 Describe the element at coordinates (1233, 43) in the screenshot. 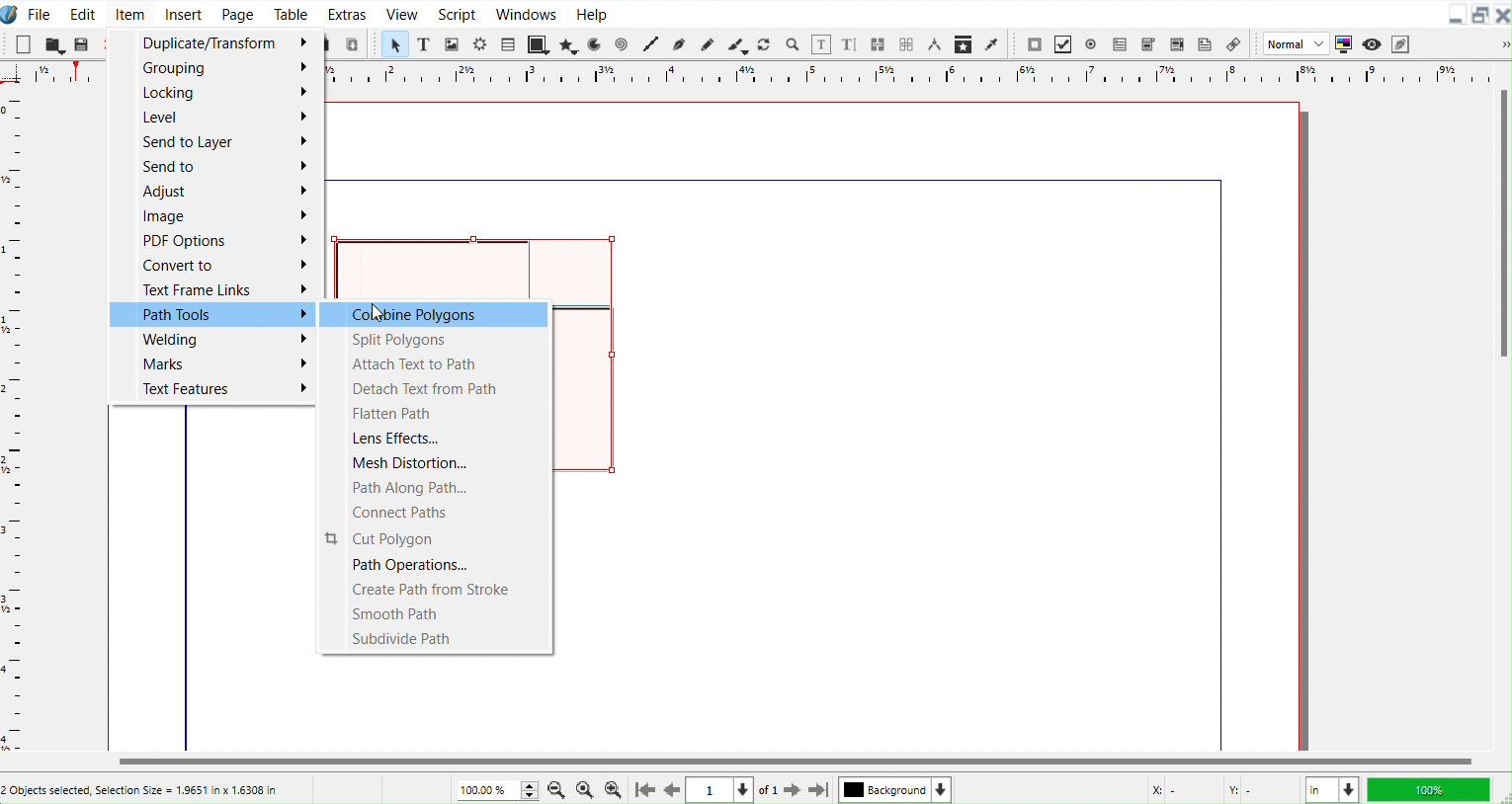

I see `Link Annotation` at that location.